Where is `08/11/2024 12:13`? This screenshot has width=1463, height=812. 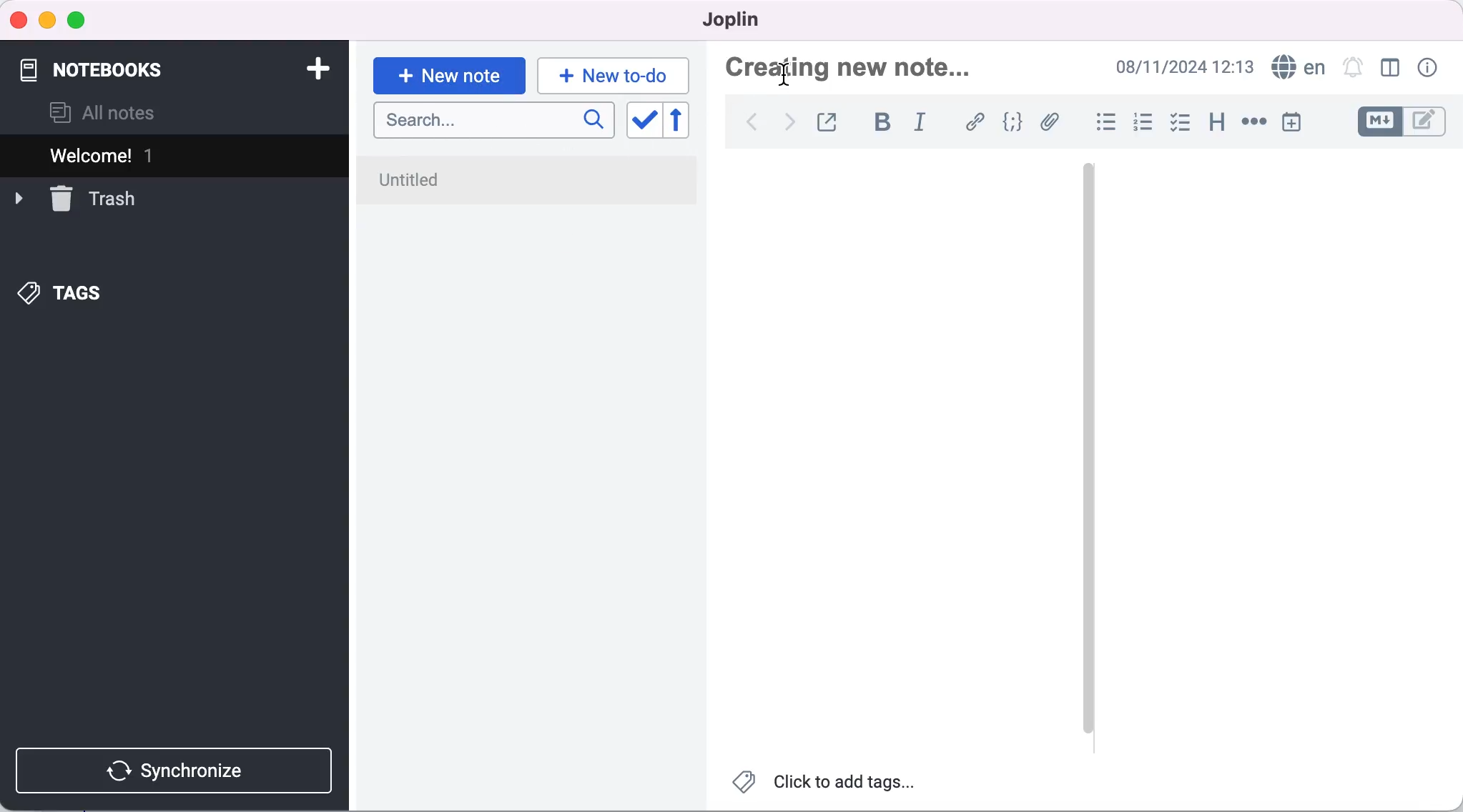
08/11/2024 12:13 is located at coordinates (1181, 66).